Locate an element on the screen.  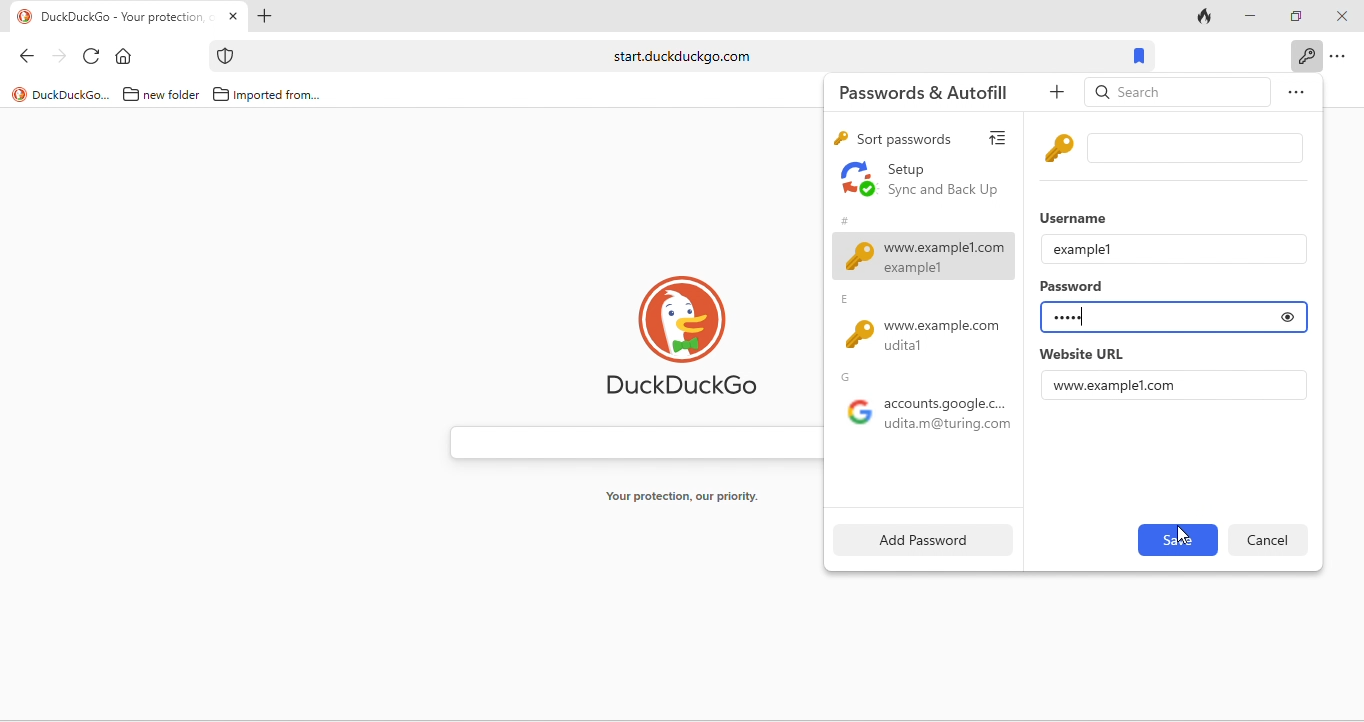
key is located at coordinates (839, 140).